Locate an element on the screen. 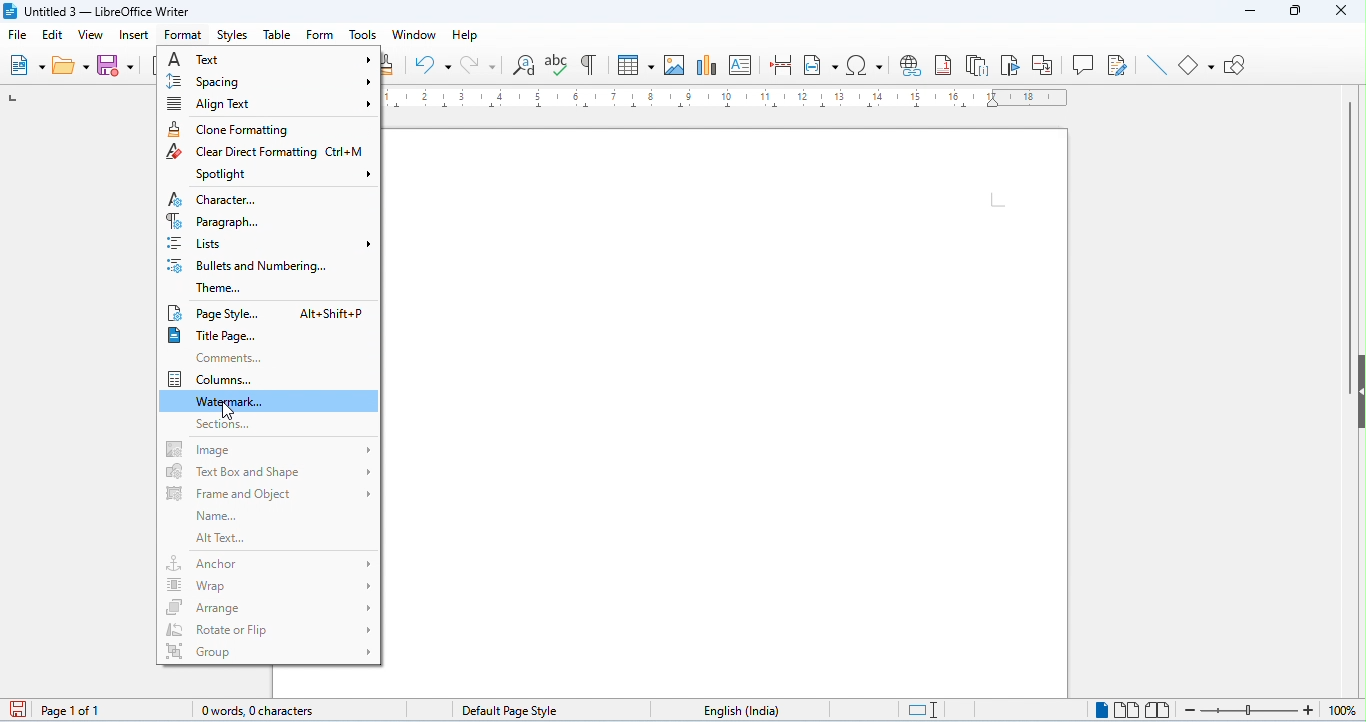 The width and height of the screenshot is (1366, 722). open is located at coordinates (71, 65).